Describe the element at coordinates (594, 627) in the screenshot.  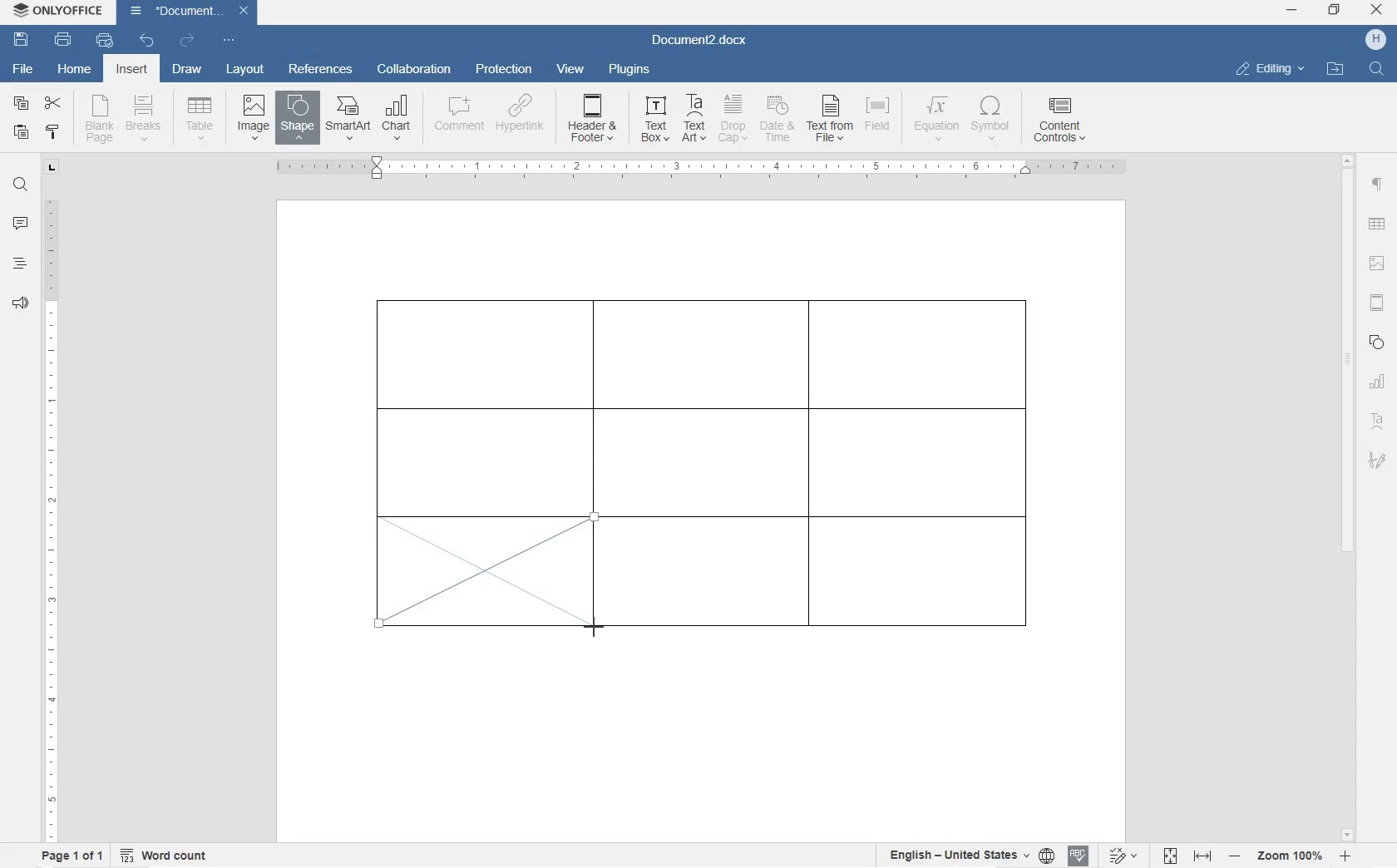
I see `line tool/cursor location` at that location.